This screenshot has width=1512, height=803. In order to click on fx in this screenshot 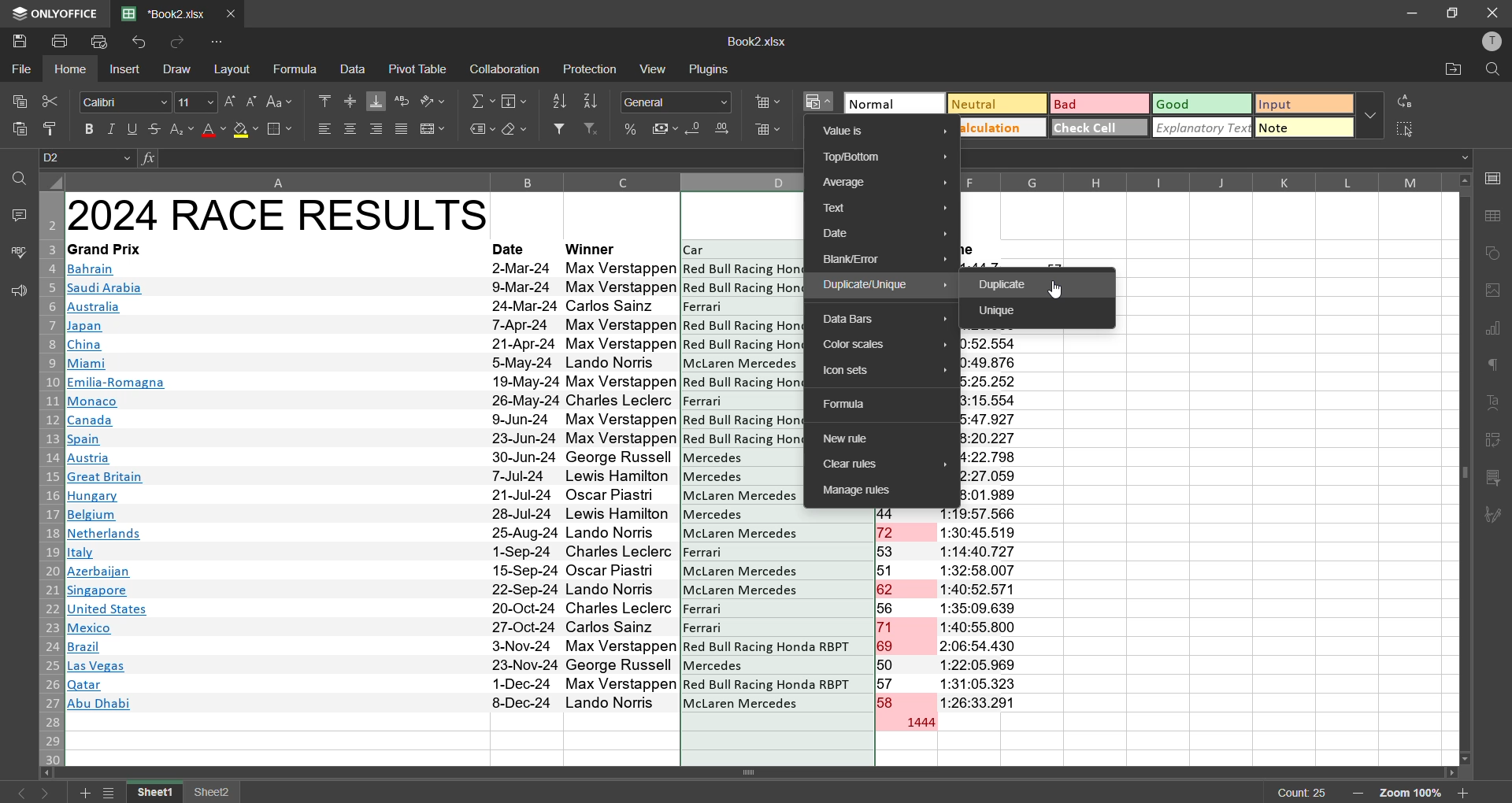, I will do `click(150, 158)`.